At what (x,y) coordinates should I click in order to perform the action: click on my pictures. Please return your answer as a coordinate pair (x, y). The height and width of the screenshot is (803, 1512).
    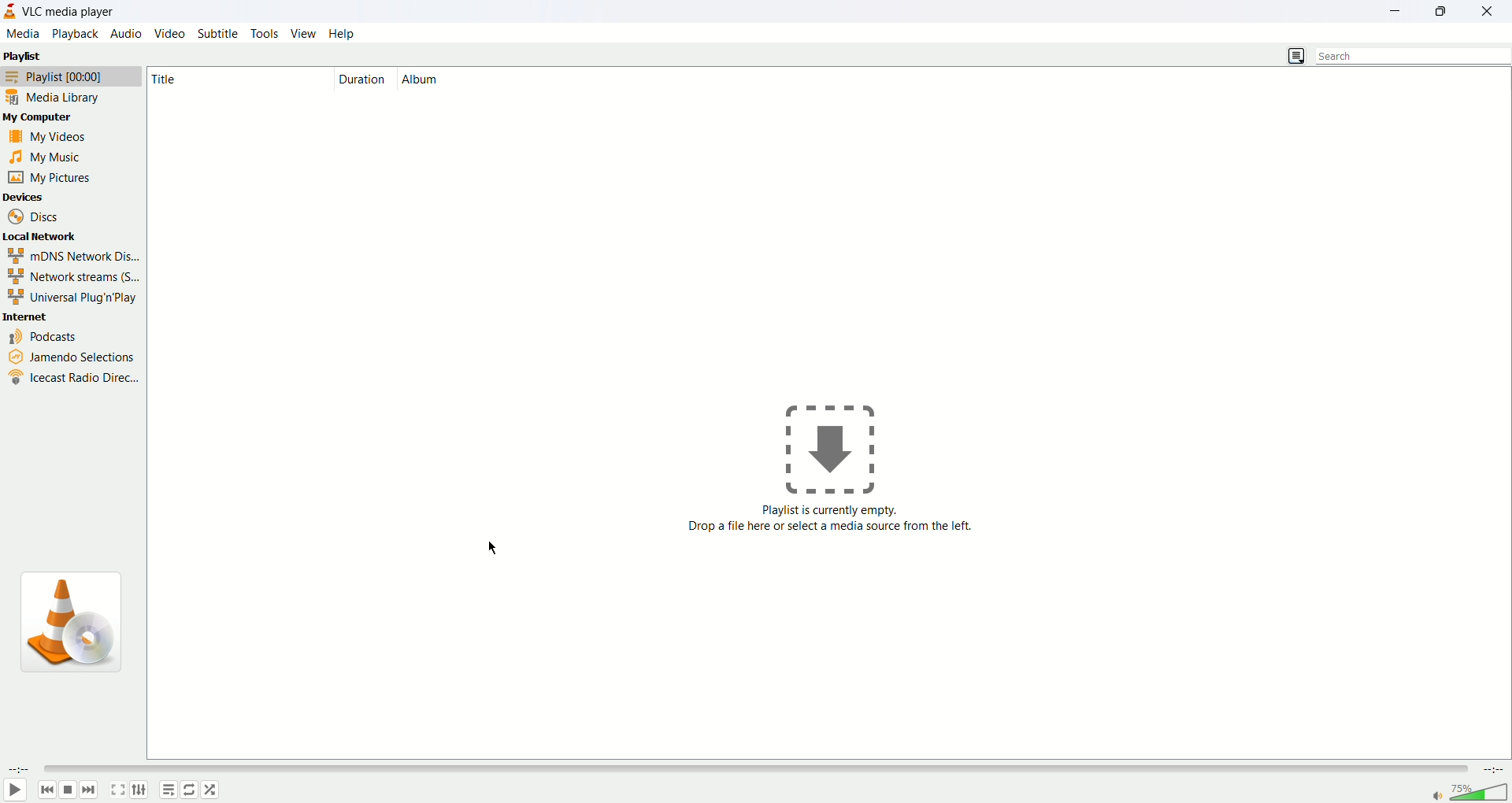
    Looking at the image, I should click on (50, 177).